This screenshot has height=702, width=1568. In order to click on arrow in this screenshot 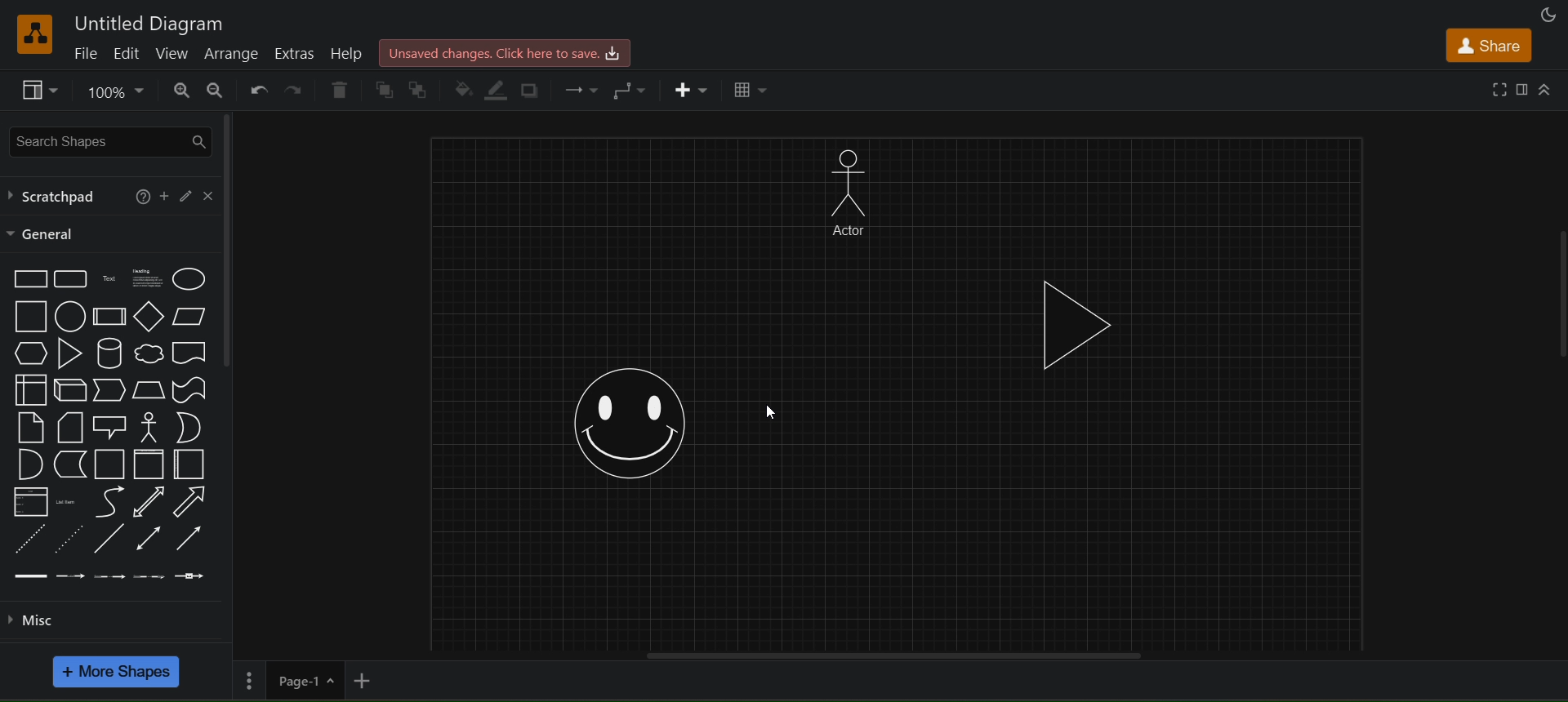, I will do `click(192, 503)`.